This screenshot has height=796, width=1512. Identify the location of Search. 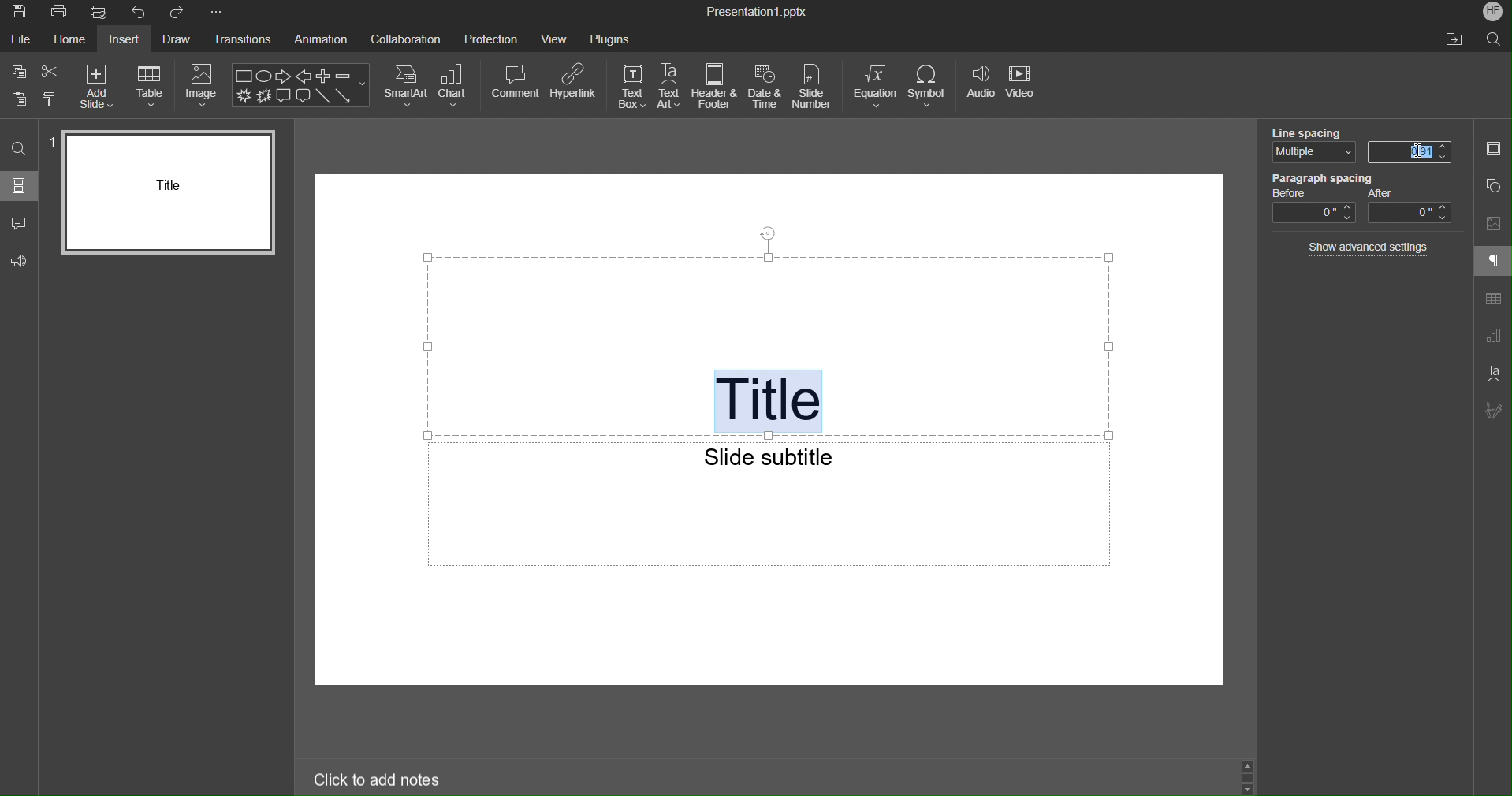
(20, 149).